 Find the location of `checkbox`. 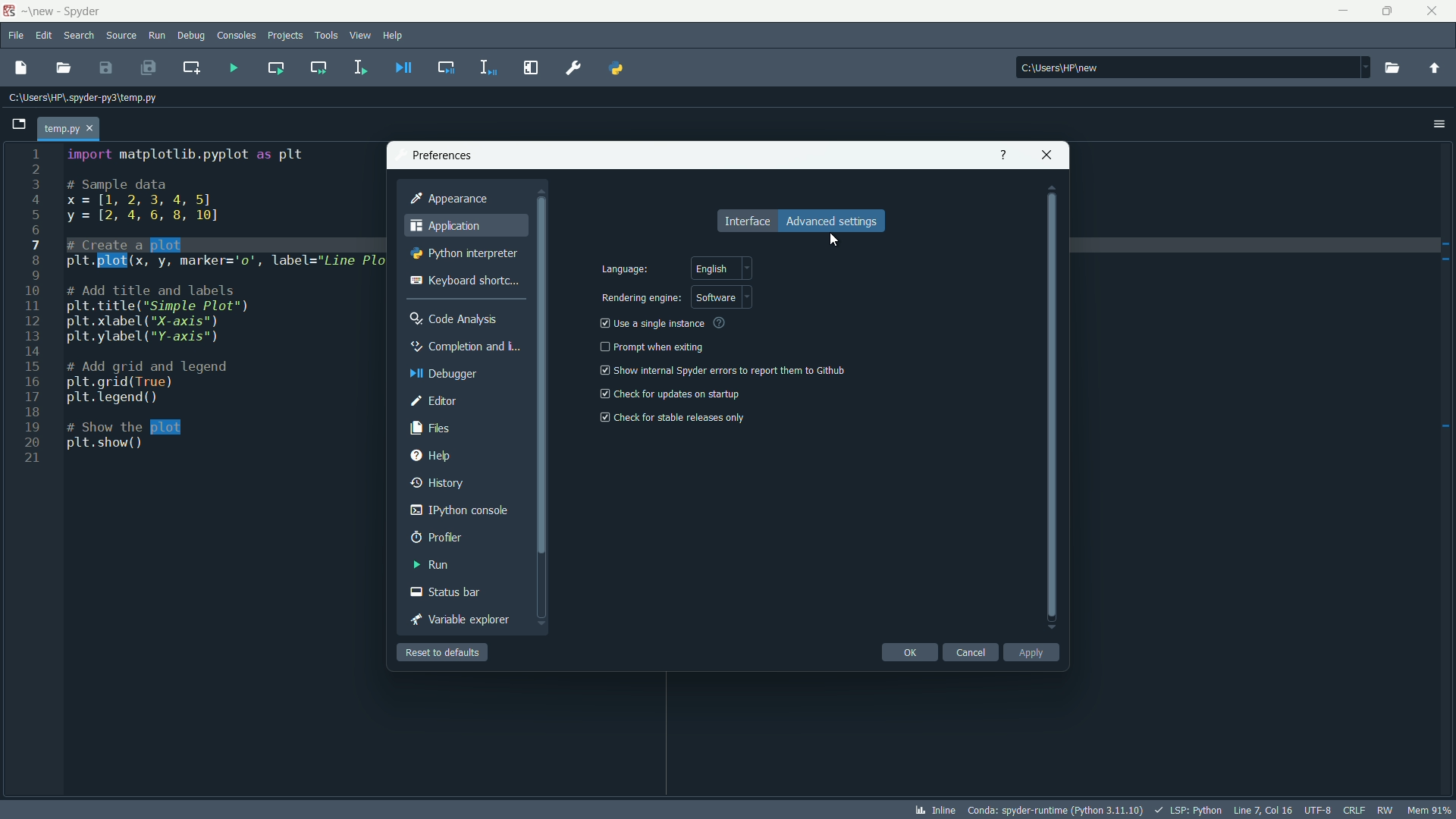

checkbox is located at coordinates (602, 394).